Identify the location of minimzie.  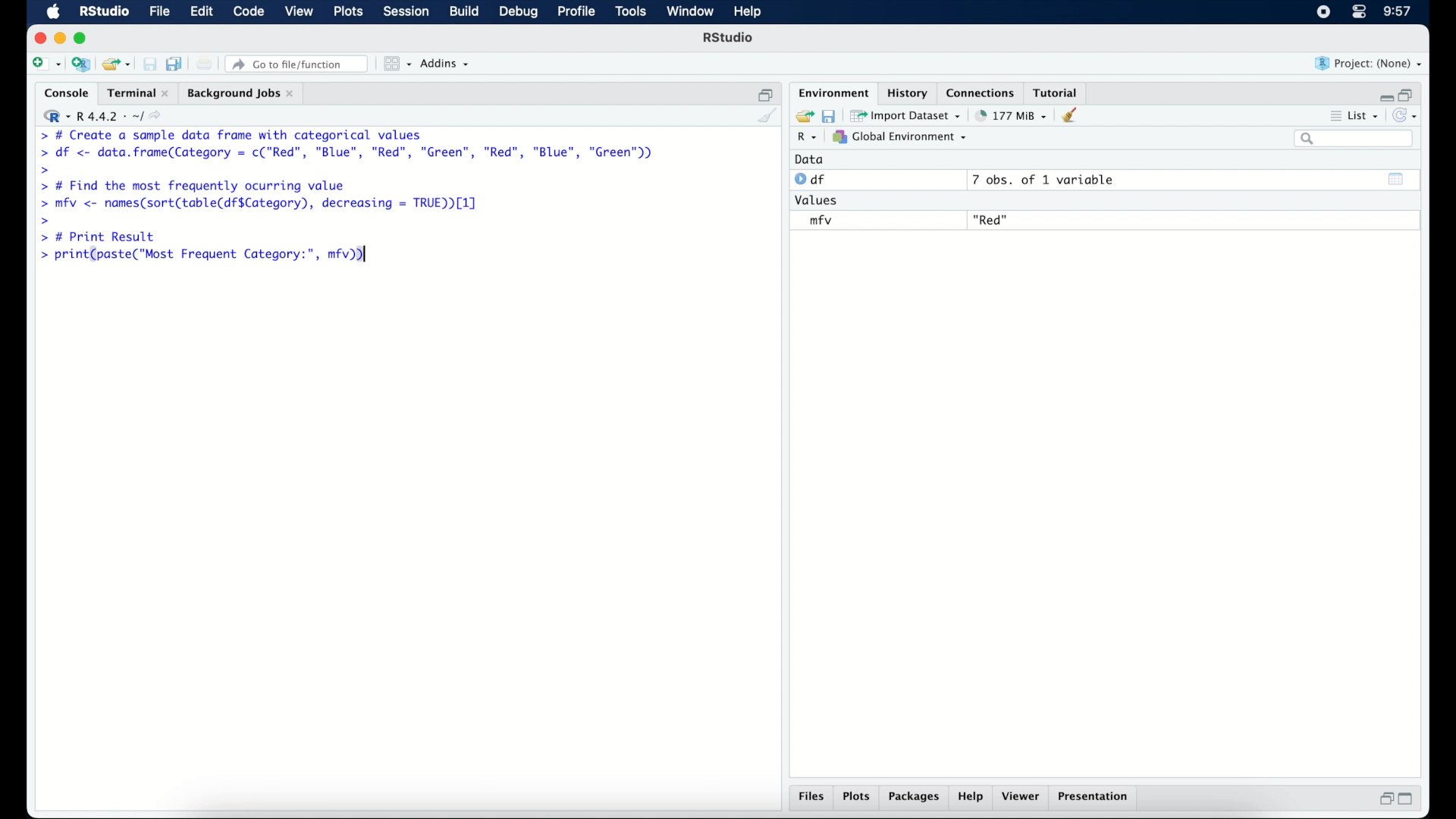
(59, 38).